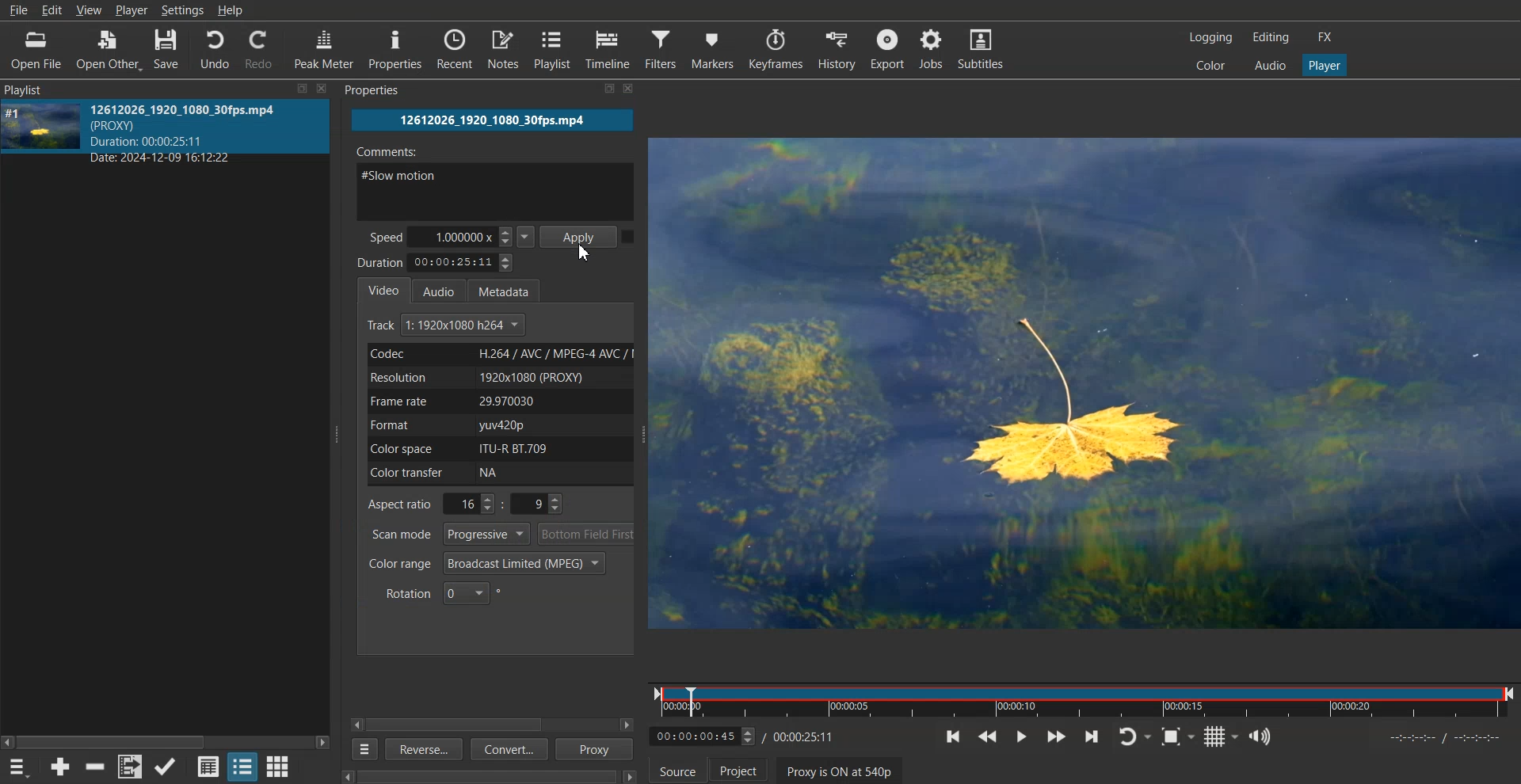 This screenshot has width=1521, height=784. Describe the element at coordinates (18, 10) in the screenshot. I see `File` at that location.